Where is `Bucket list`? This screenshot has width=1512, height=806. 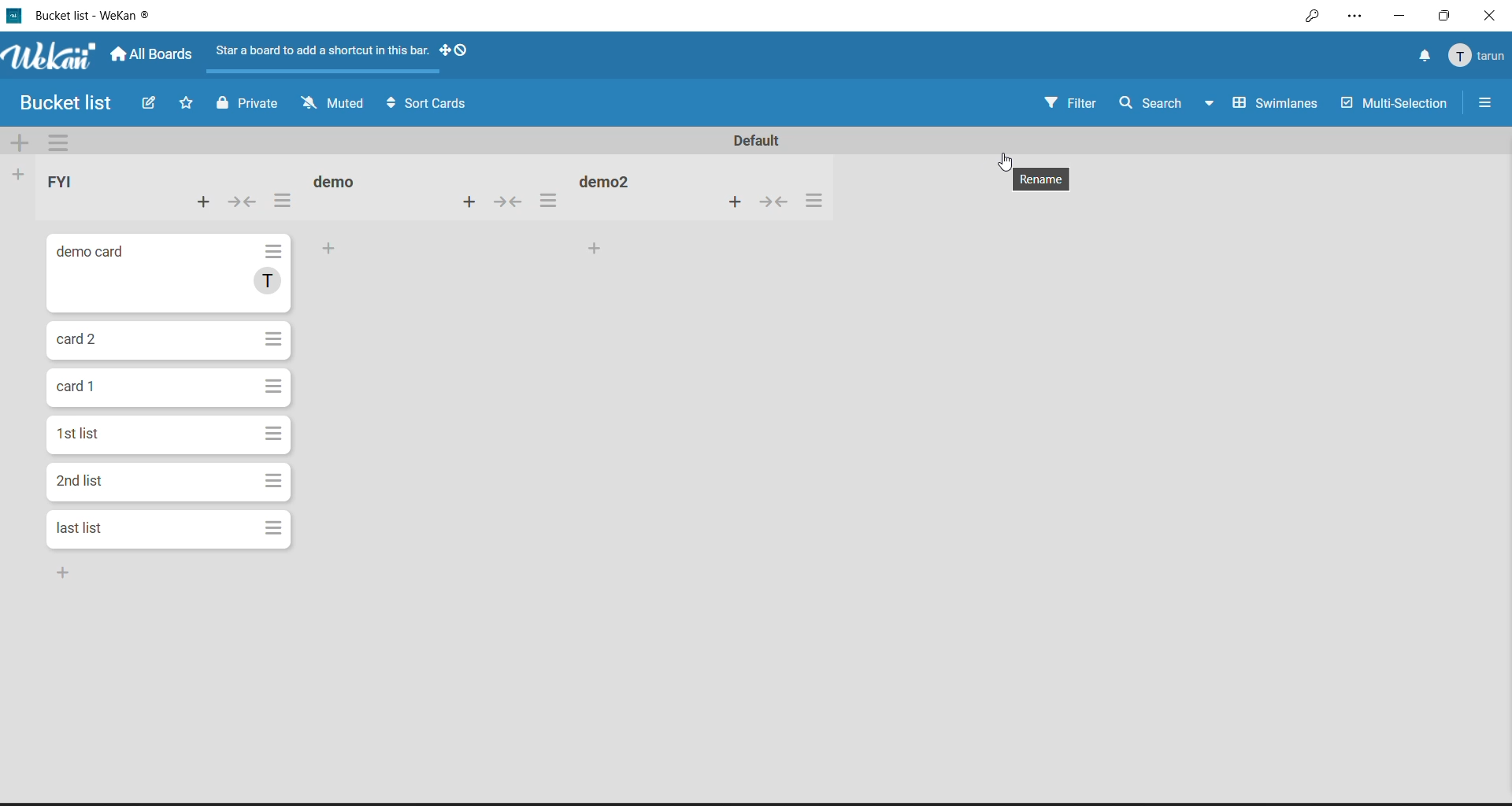
Bucket list is located at coordinates (63, 102).